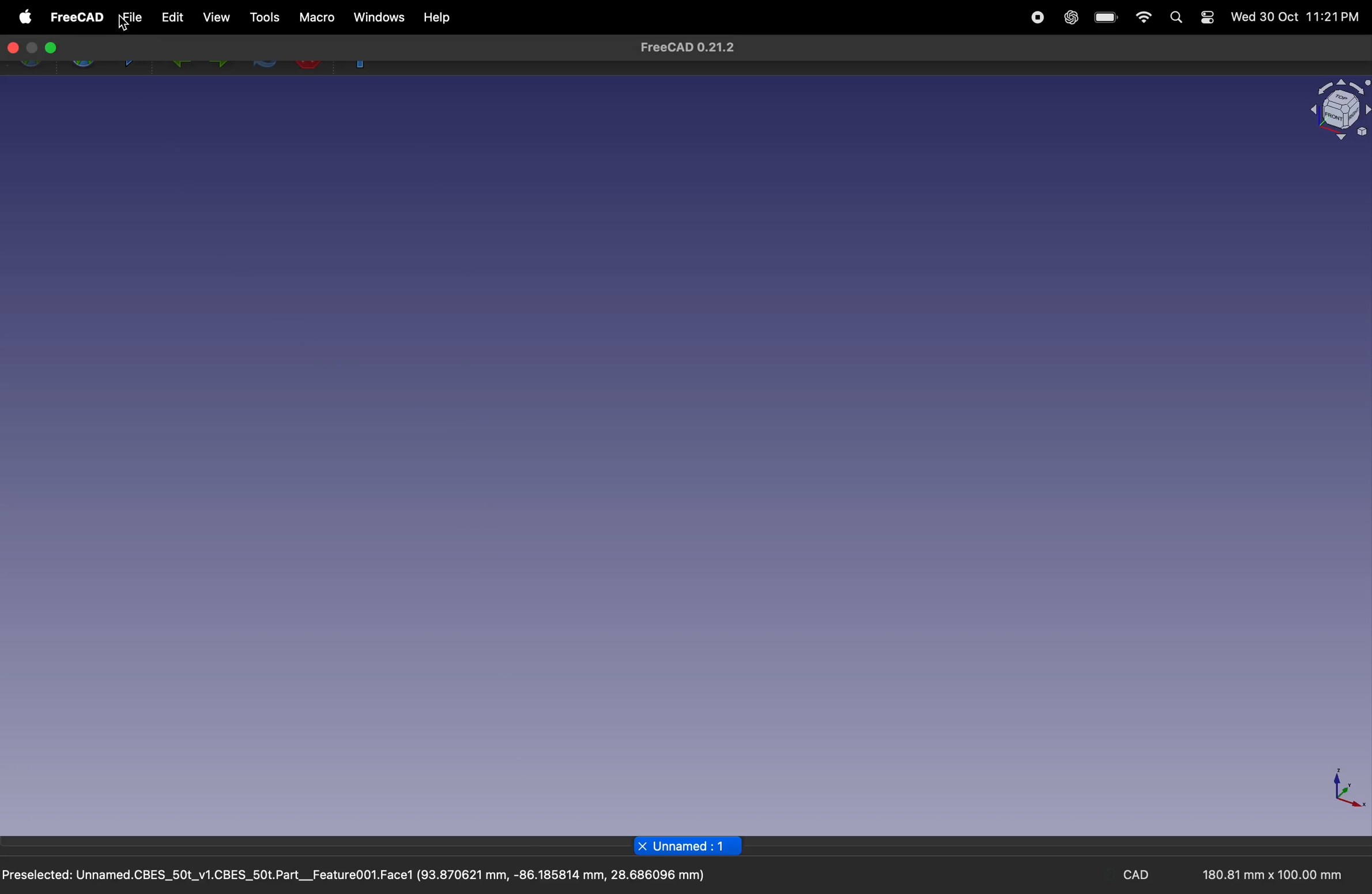 The width and height of the screenshot is (1372, 894). What do you see at coordinates (1137, 876) in the screenshot?
I see `CAD` at bounding box center [1137, 876].